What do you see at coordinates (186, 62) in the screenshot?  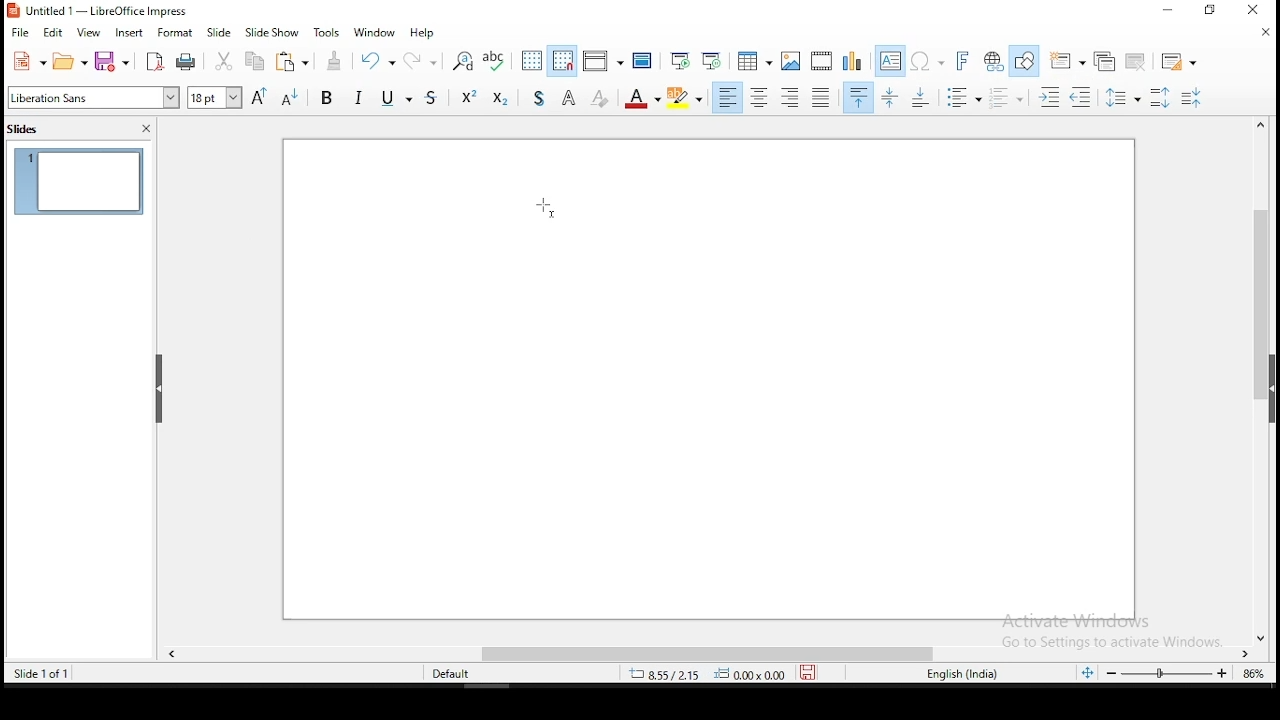 I see `print` at bounding box center [186, 62].